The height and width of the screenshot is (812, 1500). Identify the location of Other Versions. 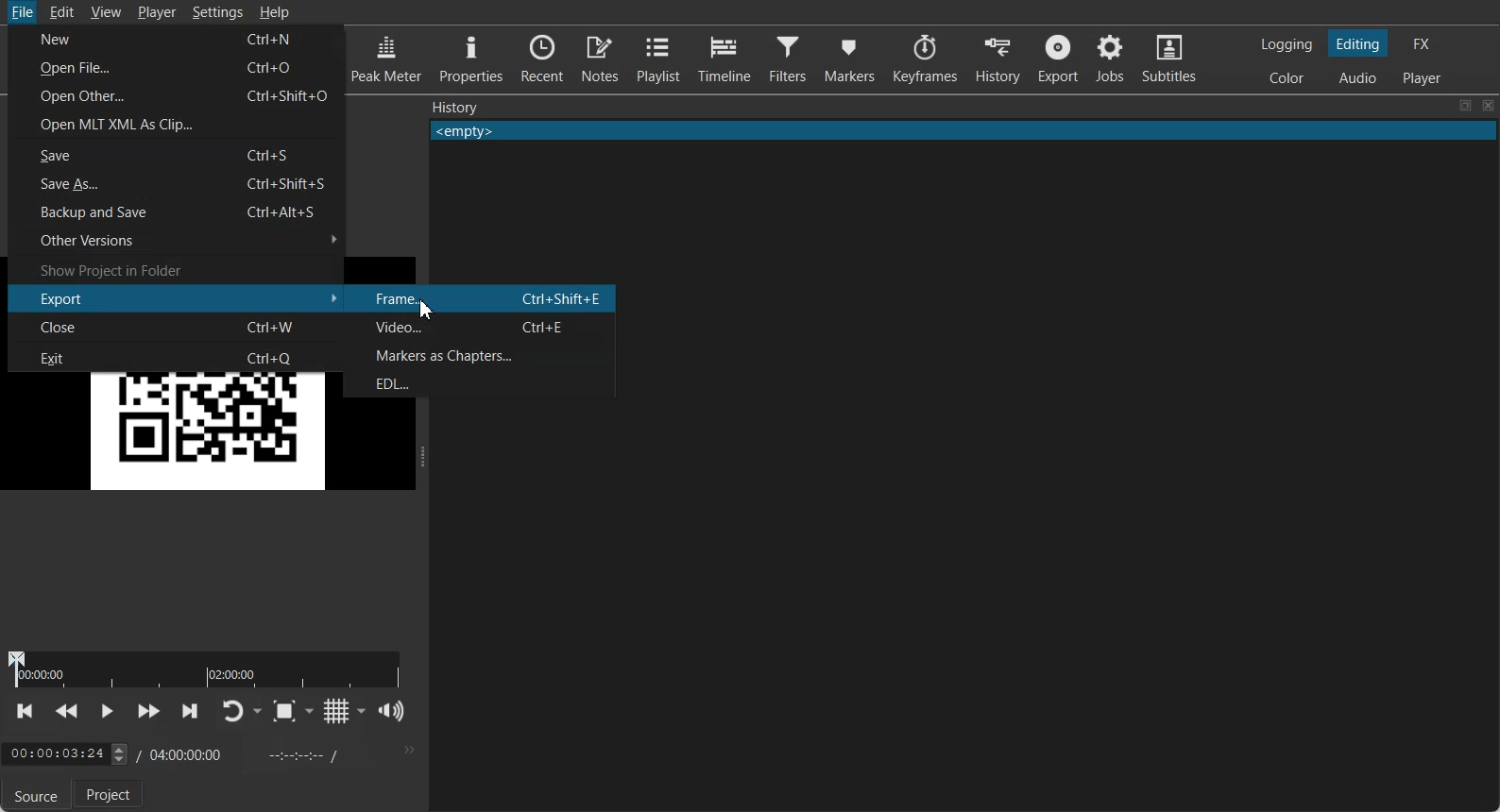
(175, 239).